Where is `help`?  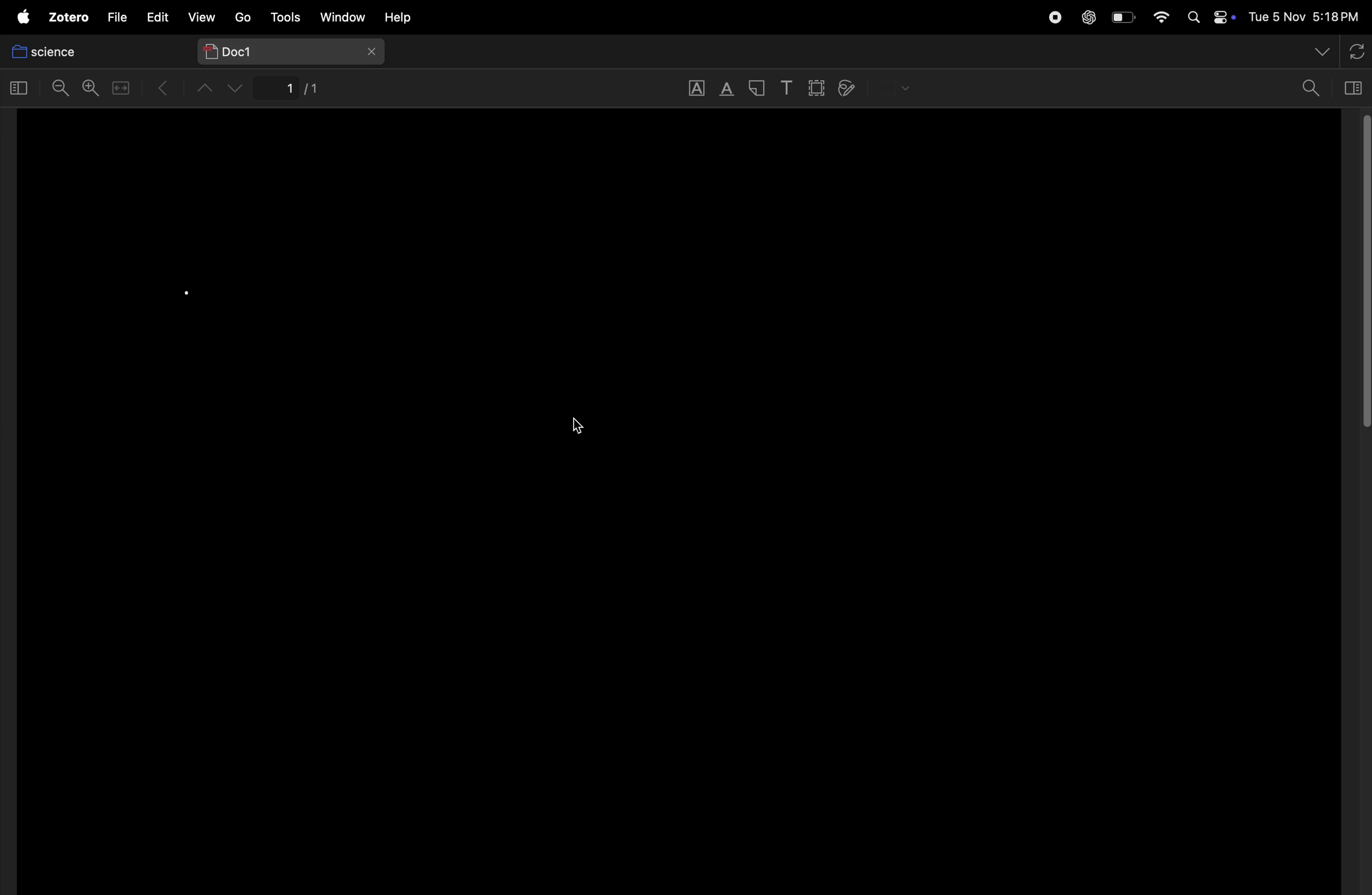 help is located at coordinates (422, 17).